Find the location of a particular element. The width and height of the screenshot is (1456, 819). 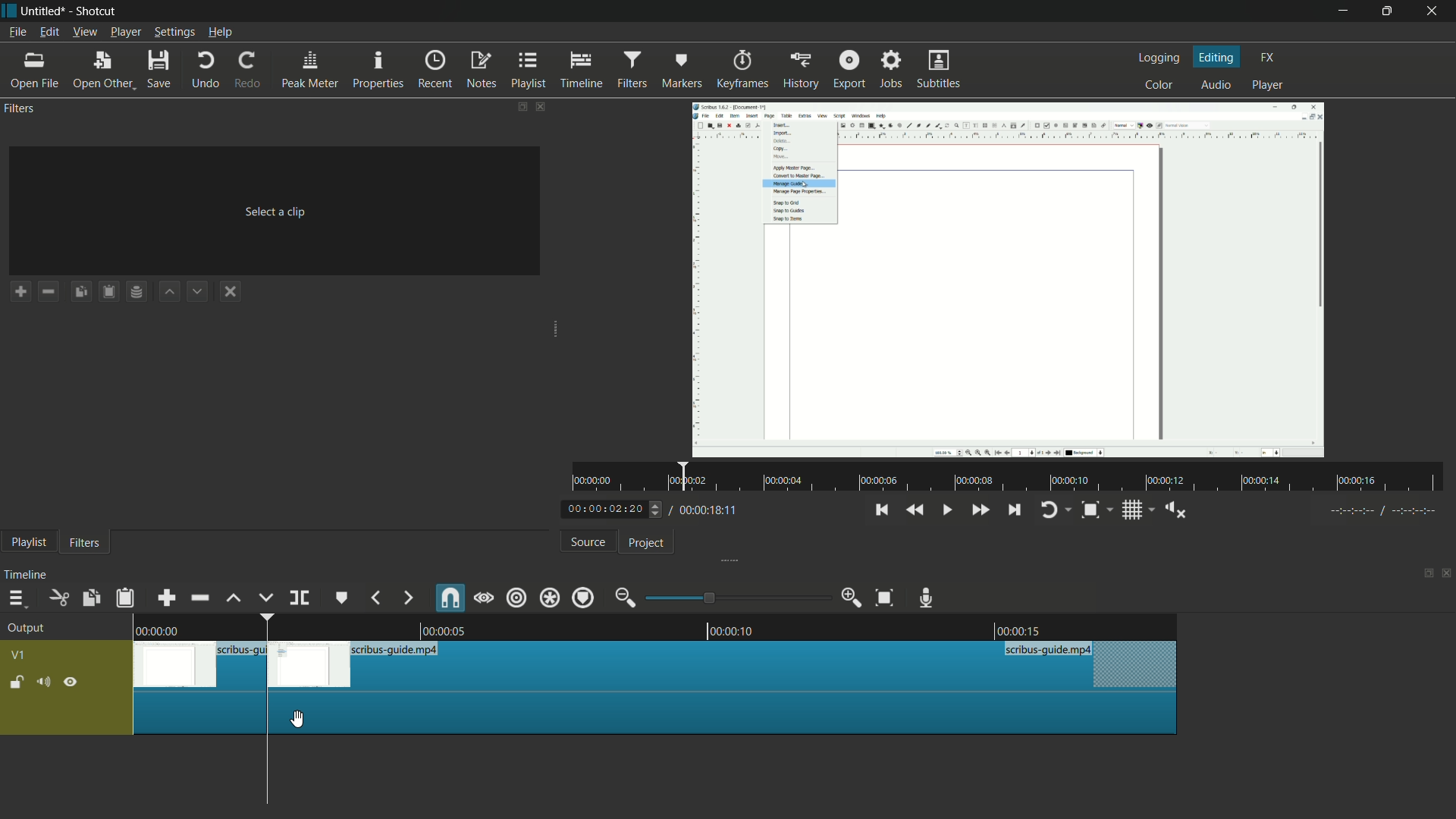

logging is located at coordinates (1157, 58).